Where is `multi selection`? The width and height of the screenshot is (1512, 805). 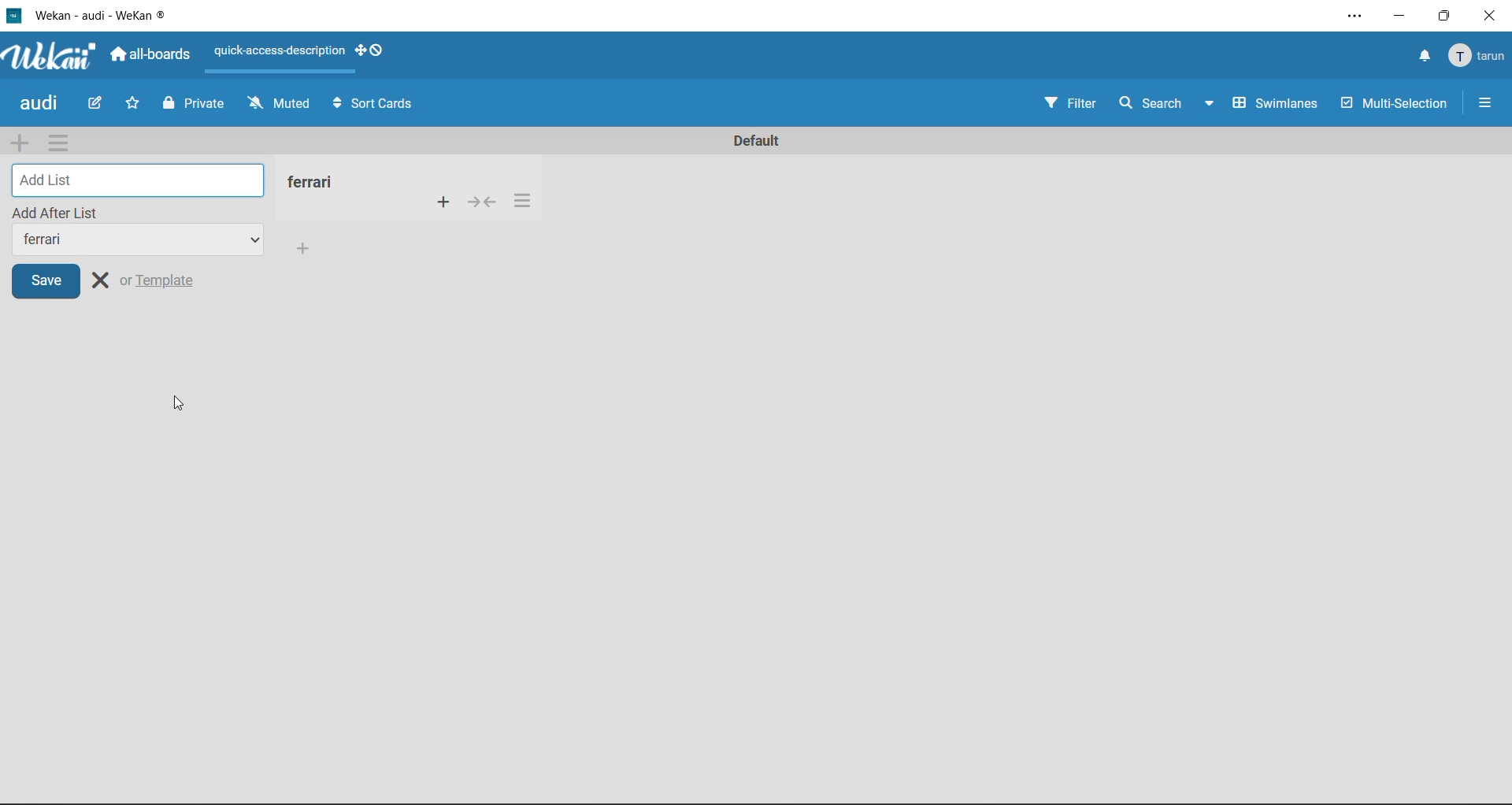
multi selection is located at coordinates (1392, 103).